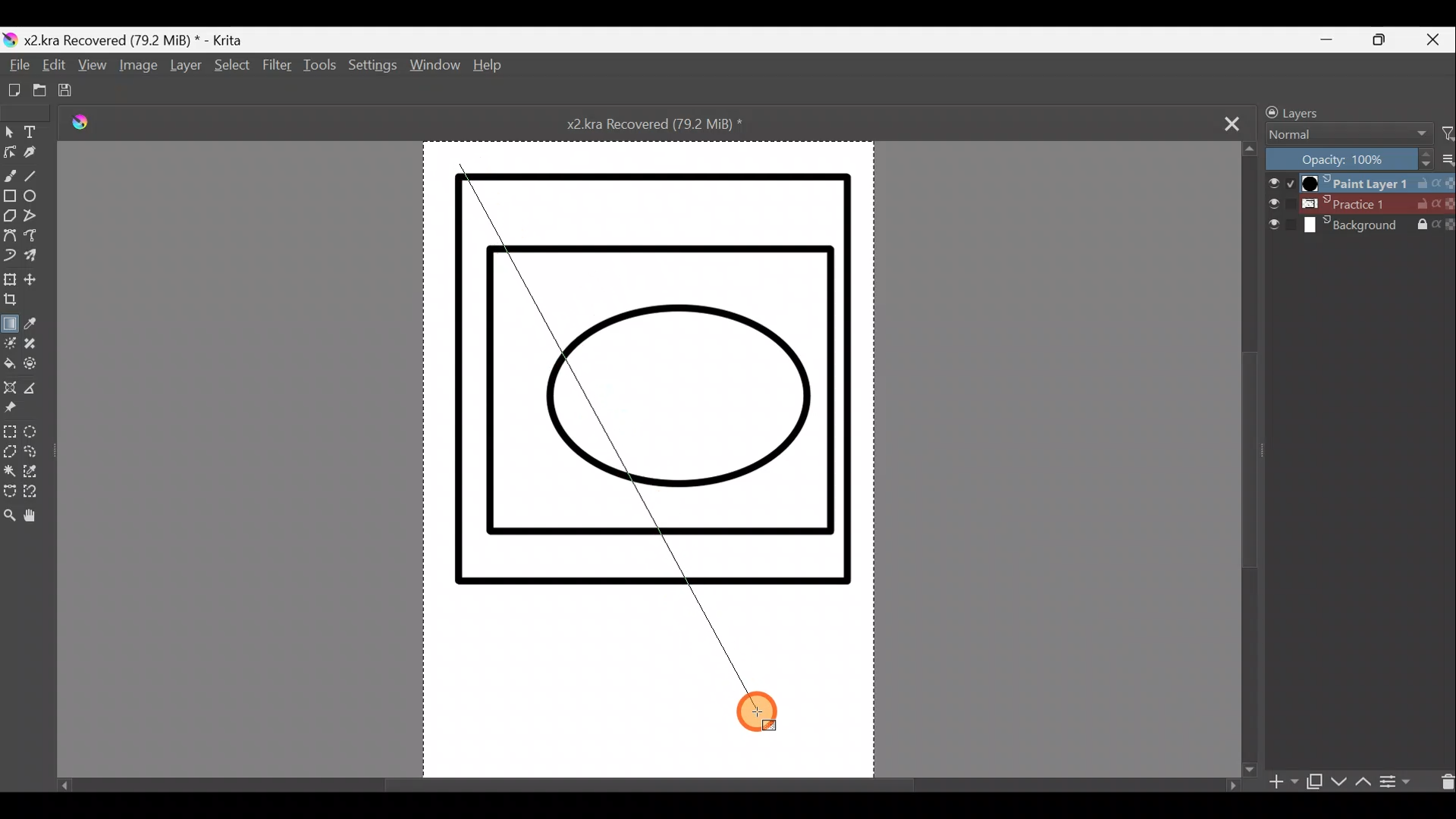  What do you see at coordinates (435, 68) in the screenshot?
I see `Window` at bounding box center [435, 68].